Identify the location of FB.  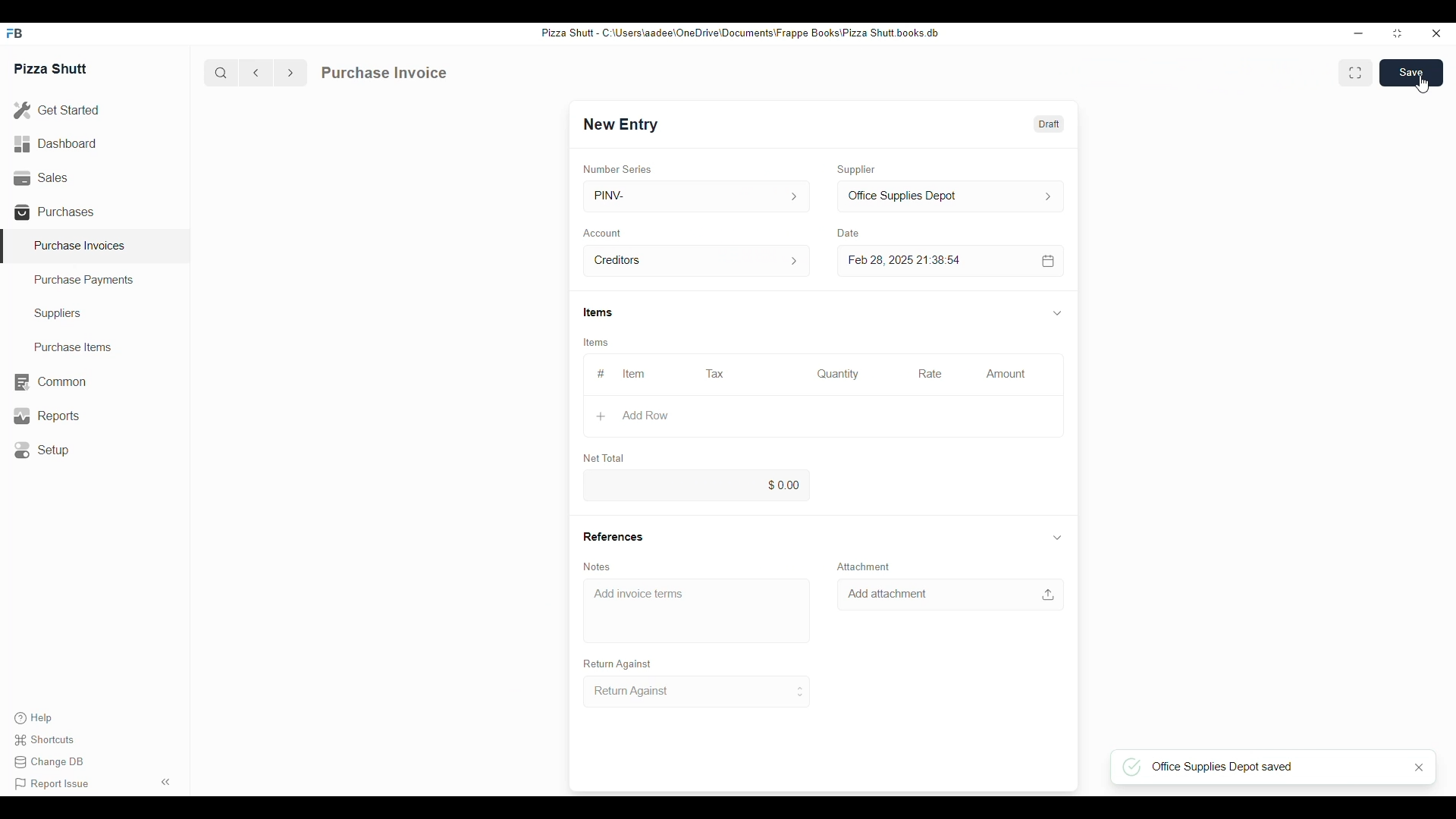
(17, 33).